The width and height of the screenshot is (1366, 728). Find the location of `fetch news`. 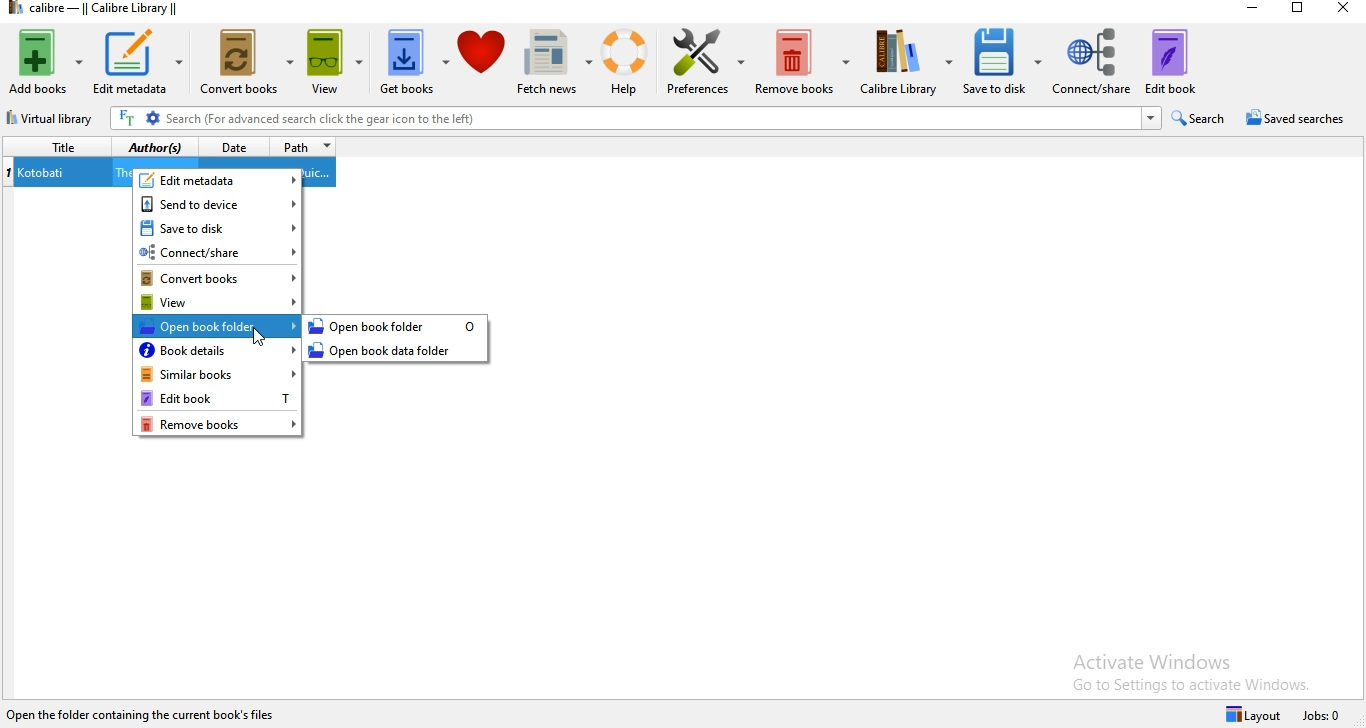

fetch news is located at coordinates (548, 64).